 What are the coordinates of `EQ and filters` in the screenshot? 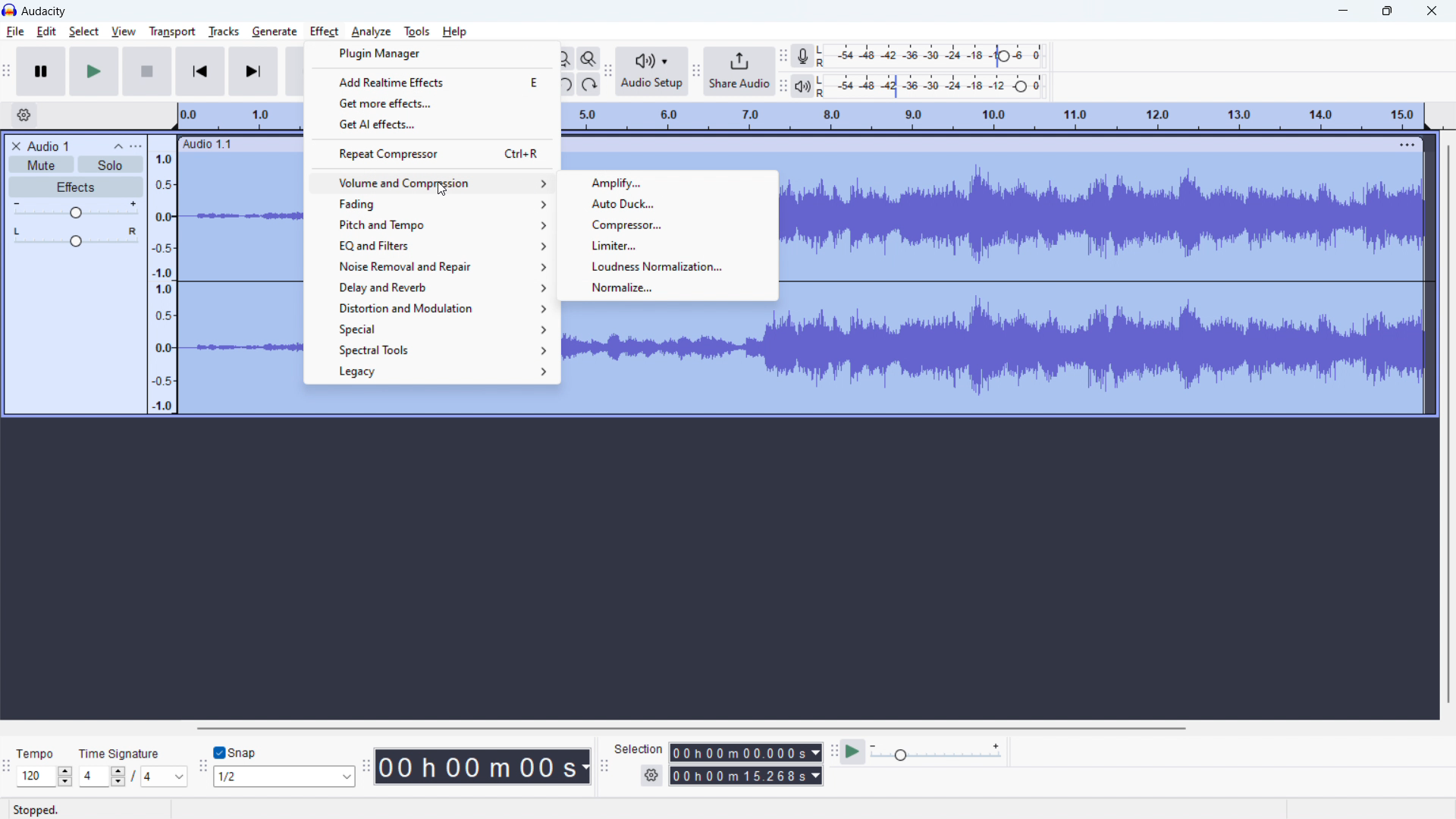 It's located at (429, 245).